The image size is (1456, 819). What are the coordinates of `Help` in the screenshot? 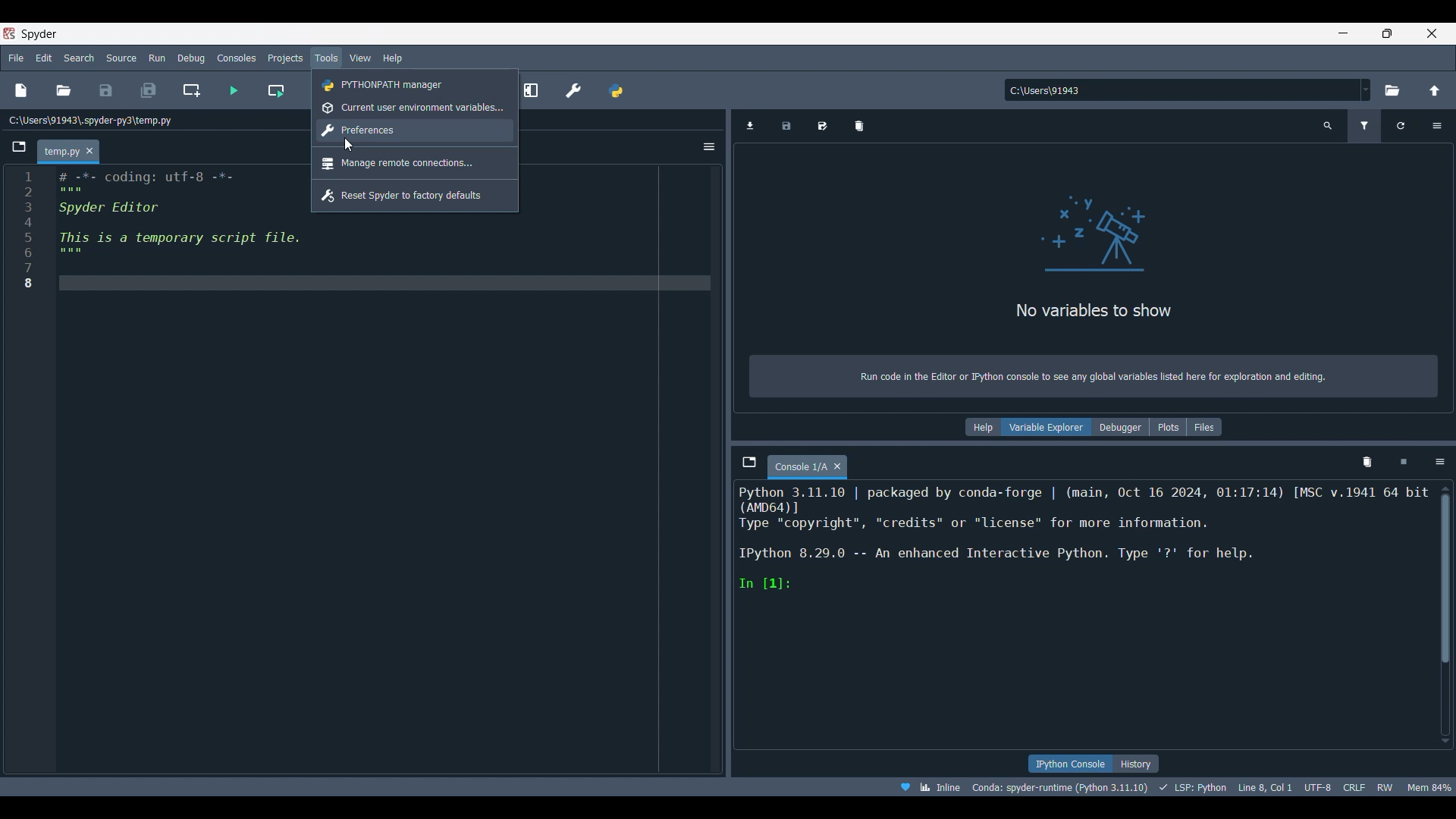 It's located at (982, 427).